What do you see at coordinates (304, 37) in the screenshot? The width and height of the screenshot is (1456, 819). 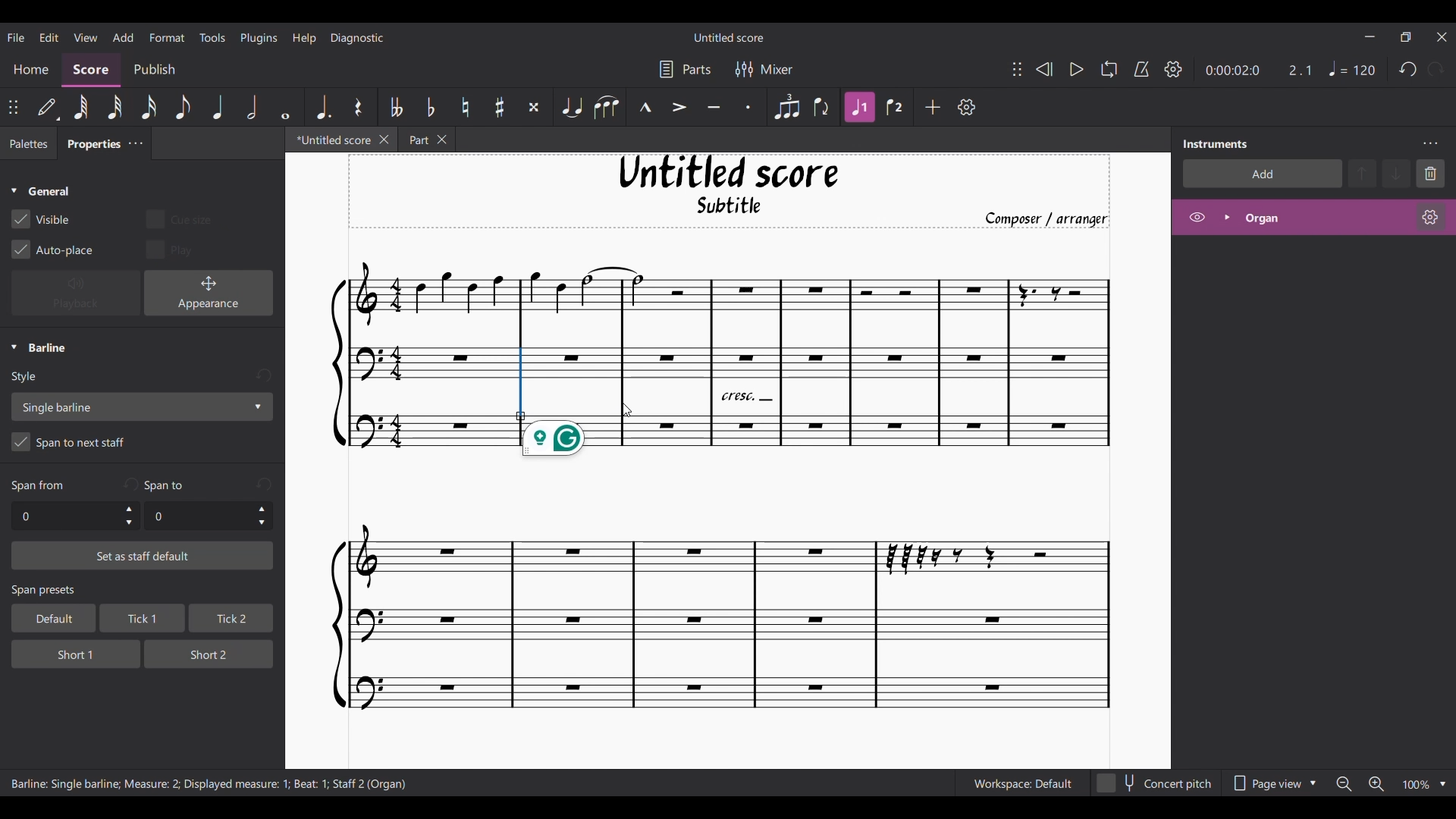 I see `Help menu` at bounding box center [304, 37].